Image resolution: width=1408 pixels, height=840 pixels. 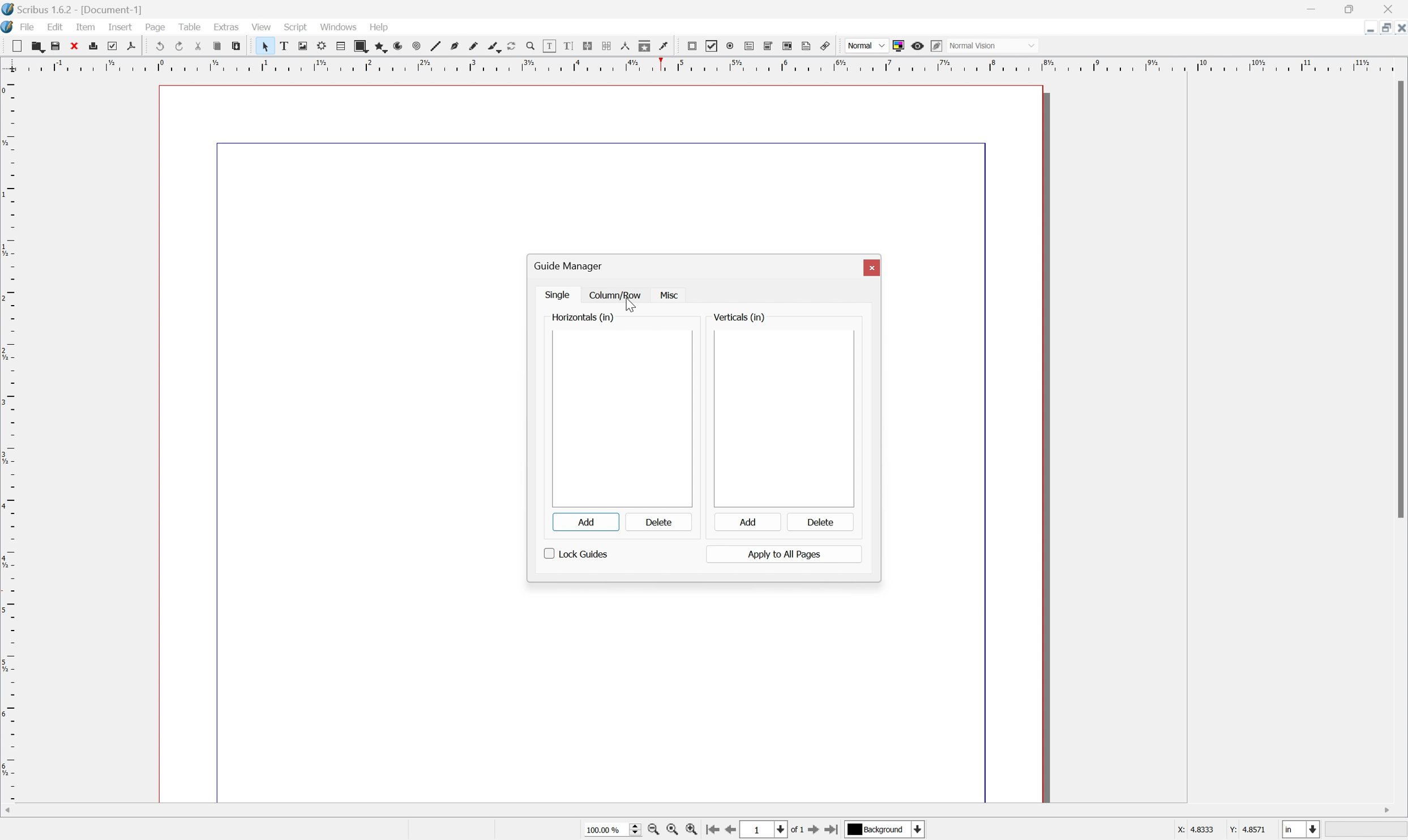 What do you see at coordinates (898, 46) in the screenshot?
I see `toggle color management system` at bounding box center [898, 46].